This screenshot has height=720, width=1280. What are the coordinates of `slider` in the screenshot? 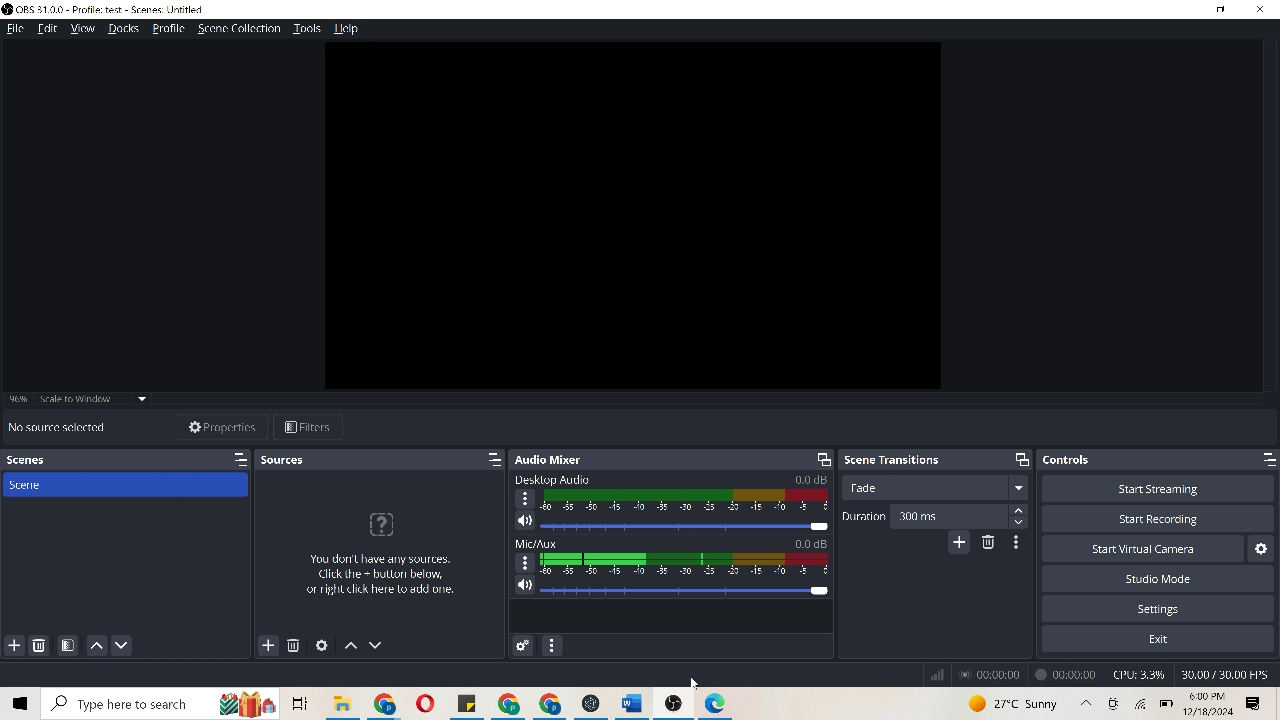 It's located at (683, 526).